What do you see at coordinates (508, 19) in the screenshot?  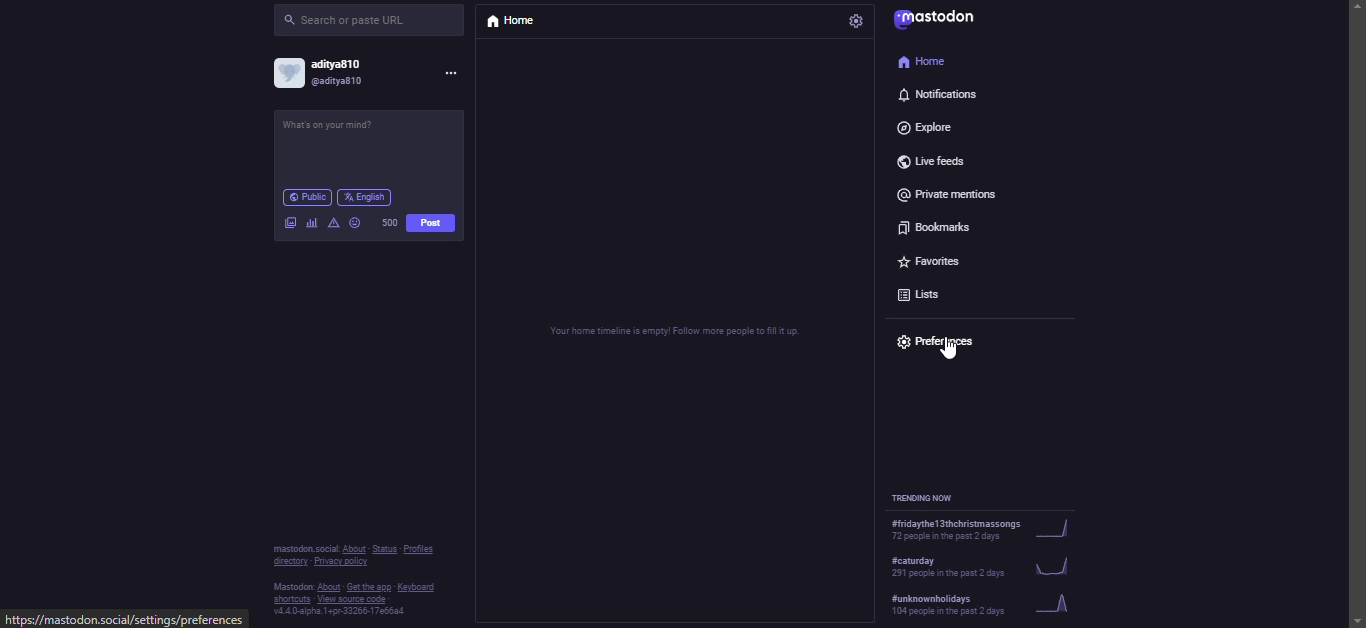 I see `home` at bounding box center [508, 19].